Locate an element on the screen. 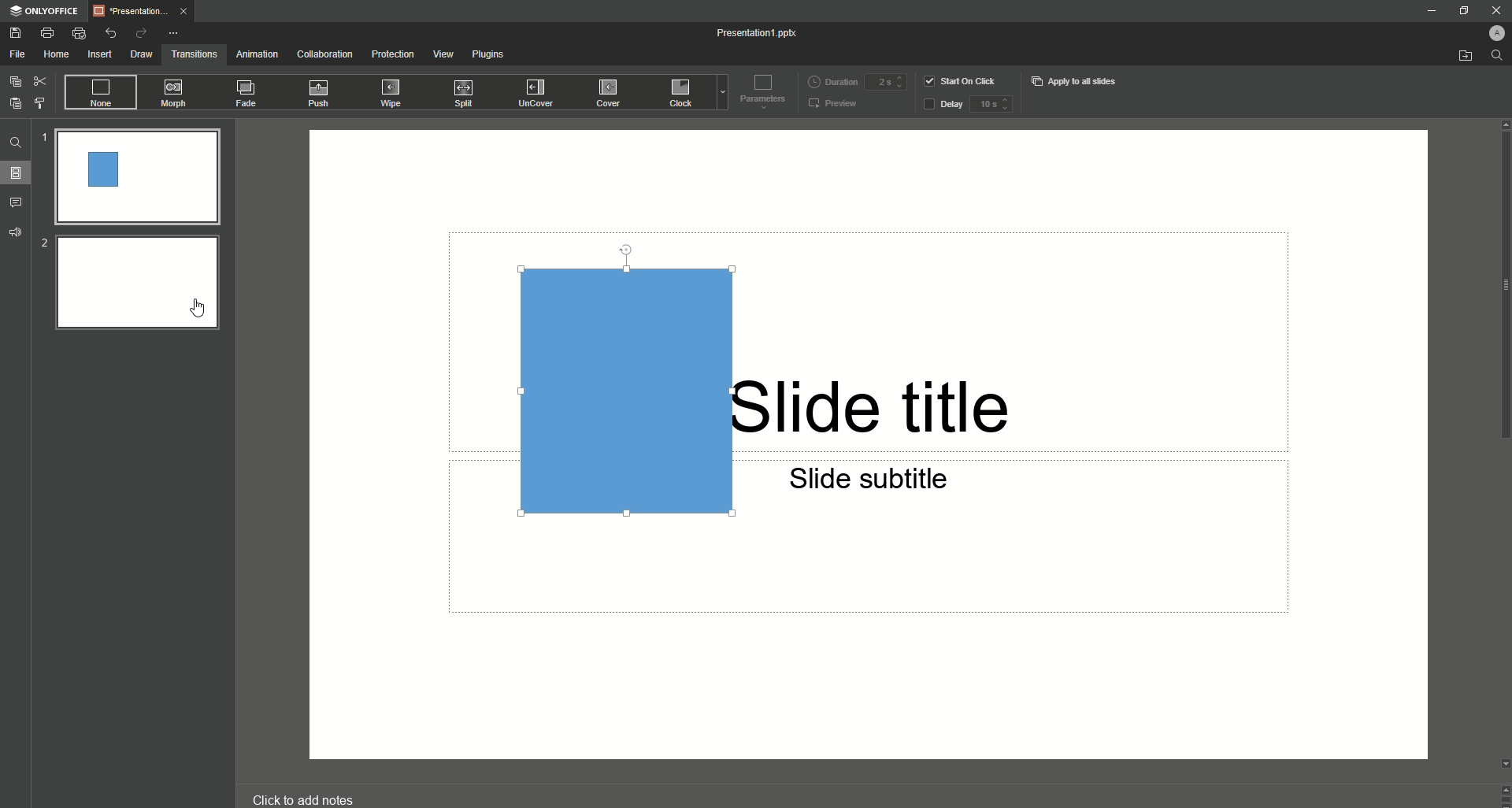 This screenshot has height=808, width=1512. Profile is located at coordinates (1491, 33).